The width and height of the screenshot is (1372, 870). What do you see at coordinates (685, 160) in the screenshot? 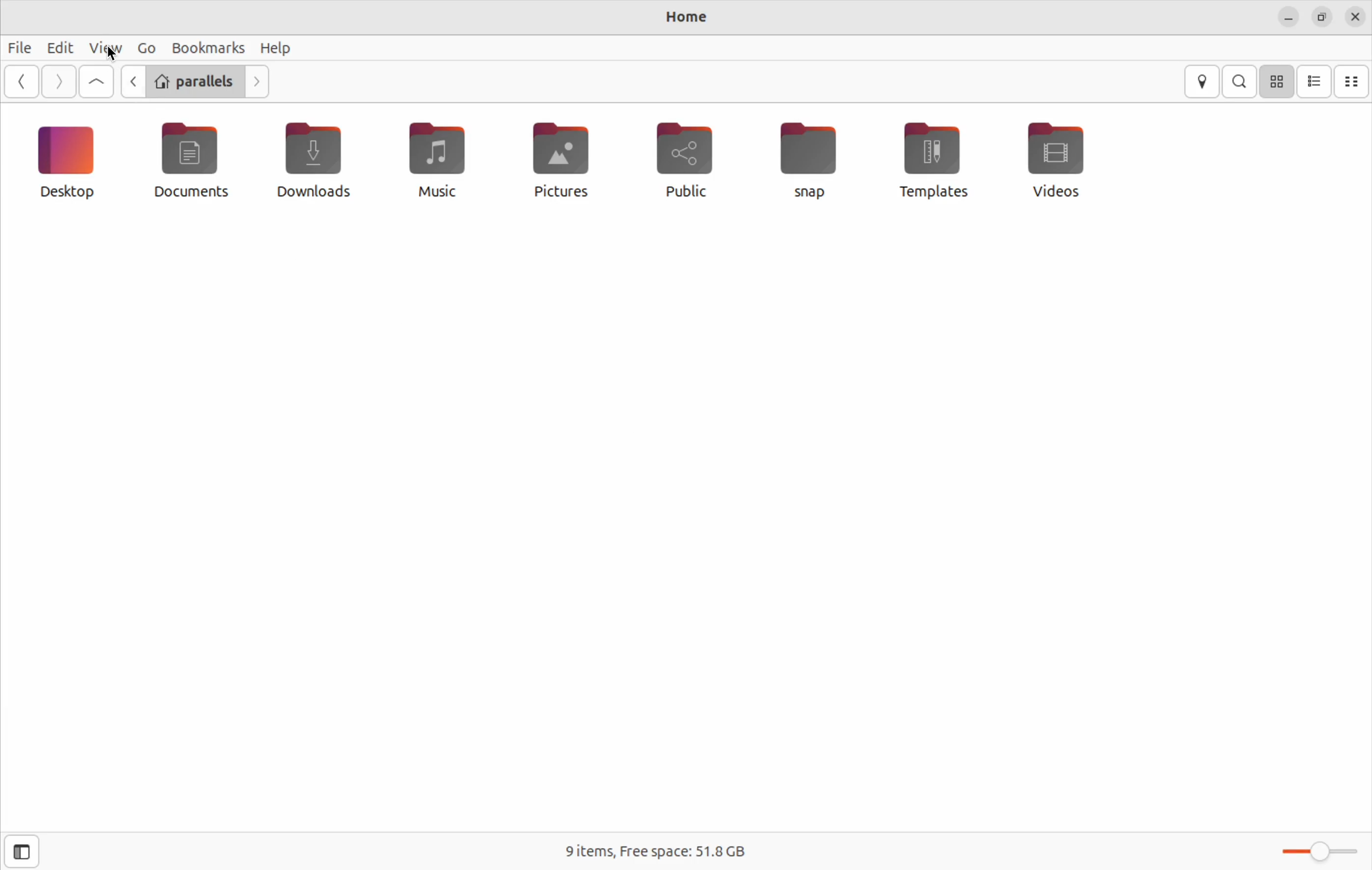
I see `public` at bounding box center [685, 160].